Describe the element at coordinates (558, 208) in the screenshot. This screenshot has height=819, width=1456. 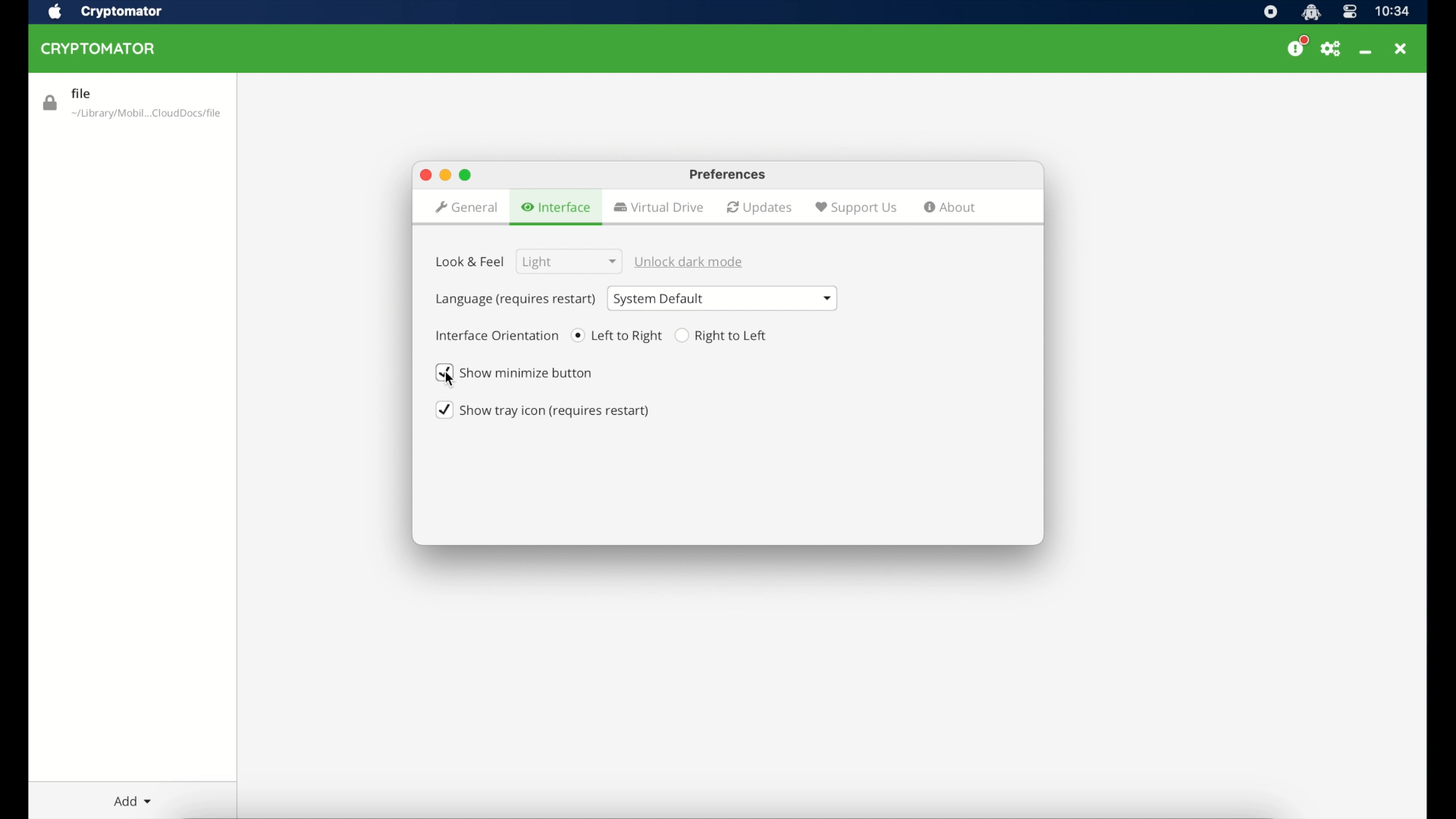
I see `interface` at that location.